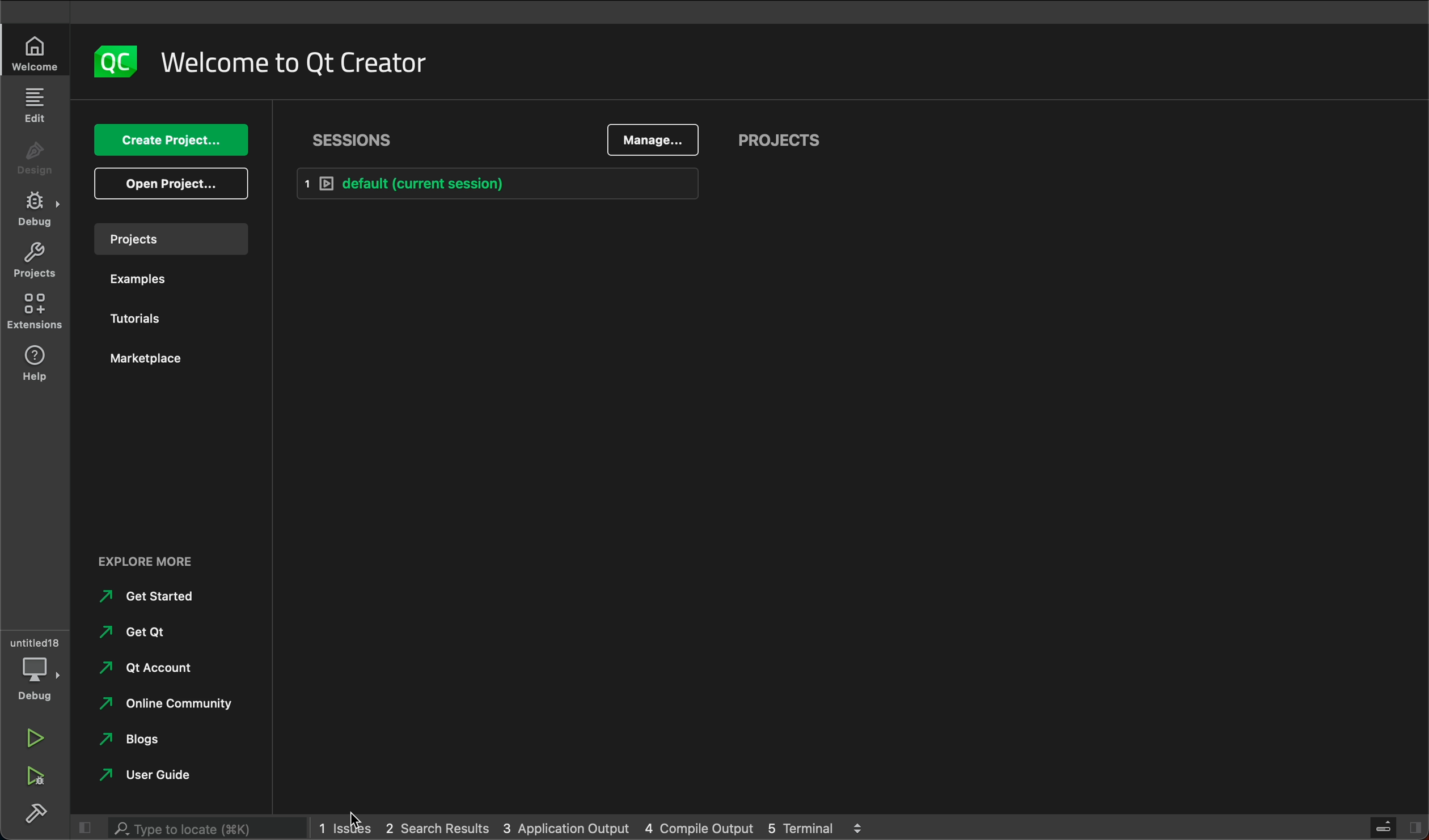 This screenshot has width=1429, height=840. Describe the element at coordinates (171, 706) in the screenshot. I see `online community` at that location.